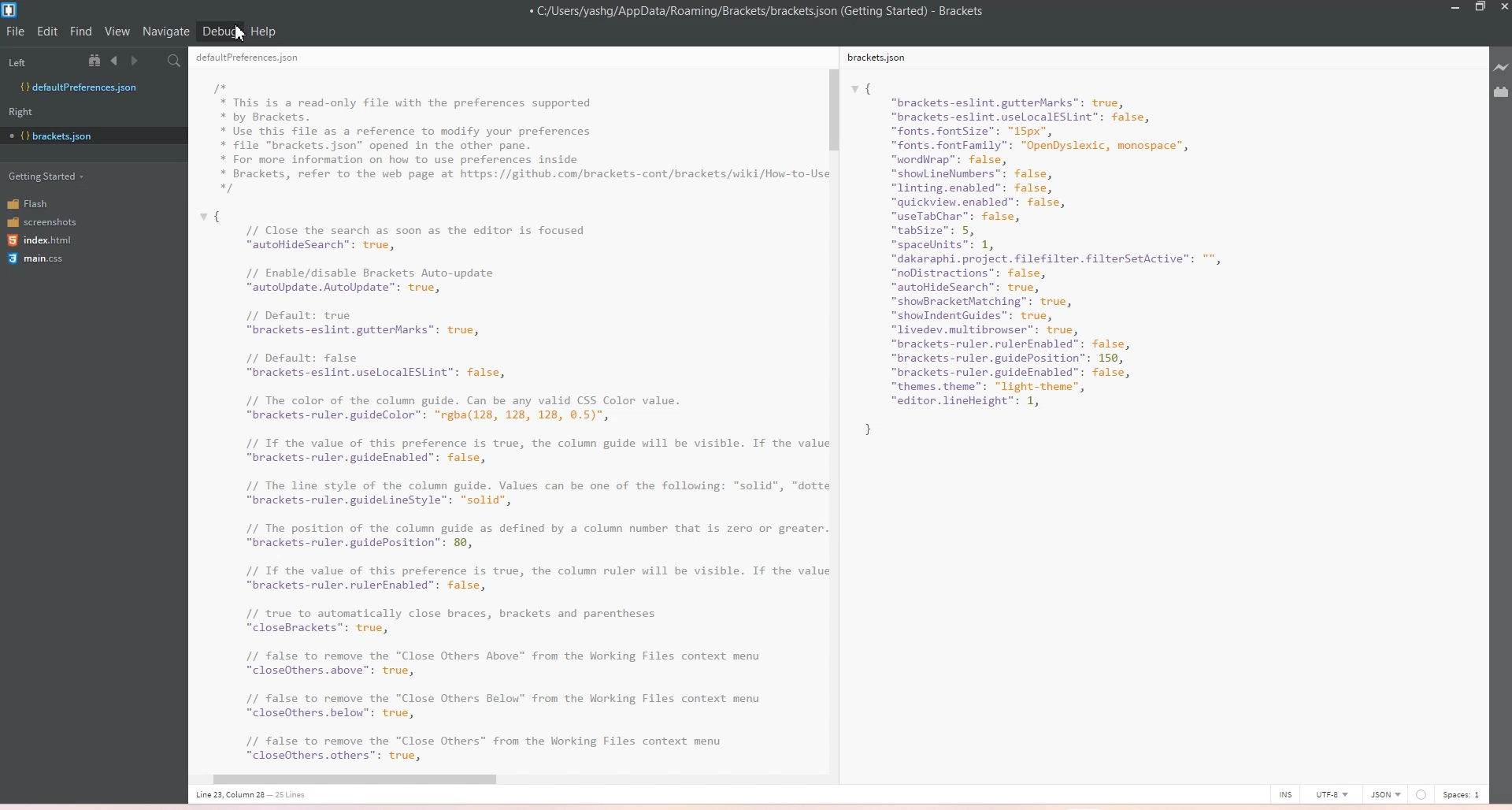 This screenshot has height=810, width=1512. What do you see at coordinates (56, 136) in the screenshot?
I see `Bracket.json` at bounding box center [56, 136].